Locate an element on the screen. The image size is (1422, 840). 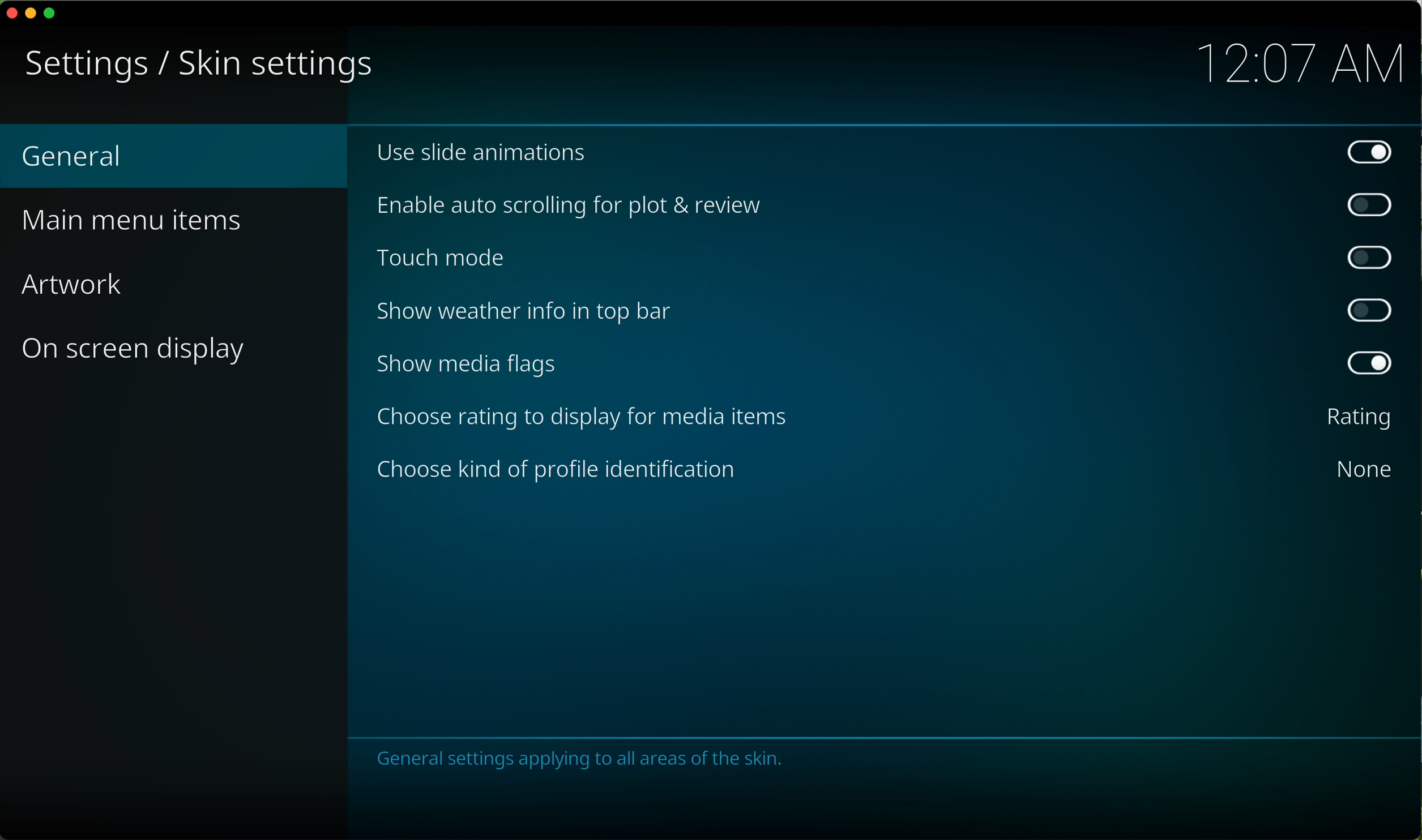
12:07 AM is located at coordinates (1299, 63).